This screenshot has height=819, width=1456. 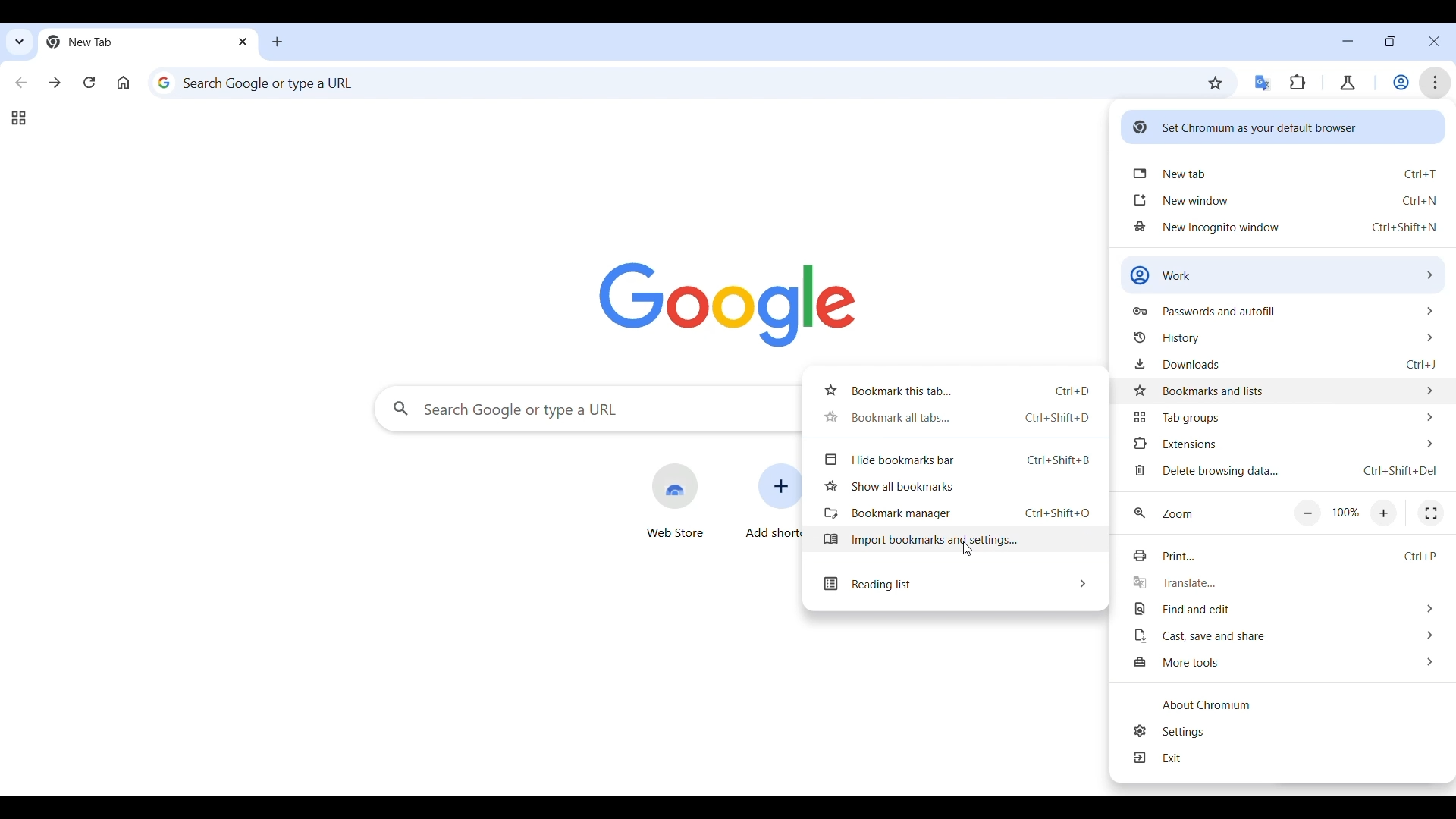 I want to click on Add new tab, so click(x=278, y=42).